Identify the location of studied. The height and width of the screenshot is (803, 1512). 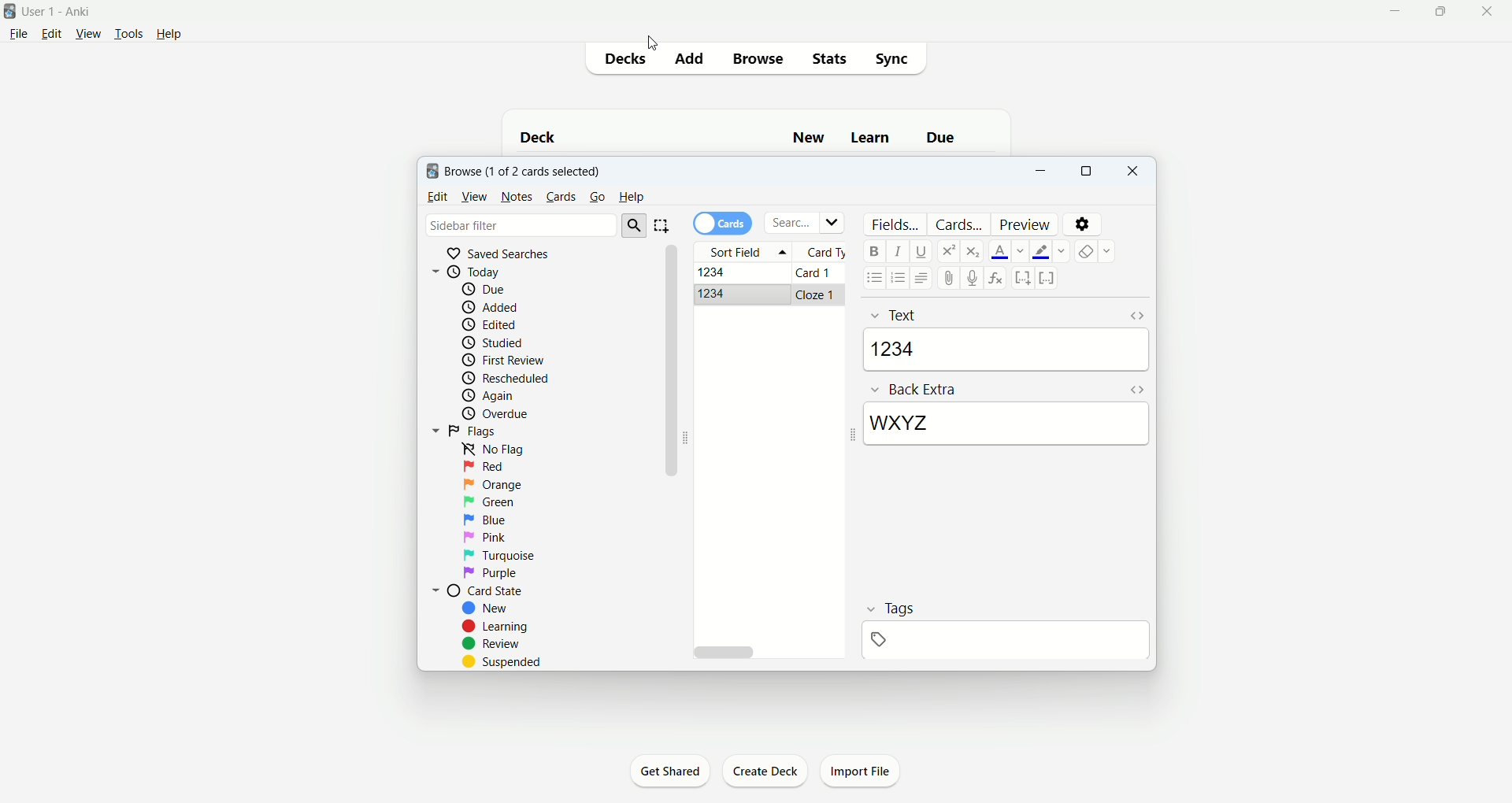
(491, 343).